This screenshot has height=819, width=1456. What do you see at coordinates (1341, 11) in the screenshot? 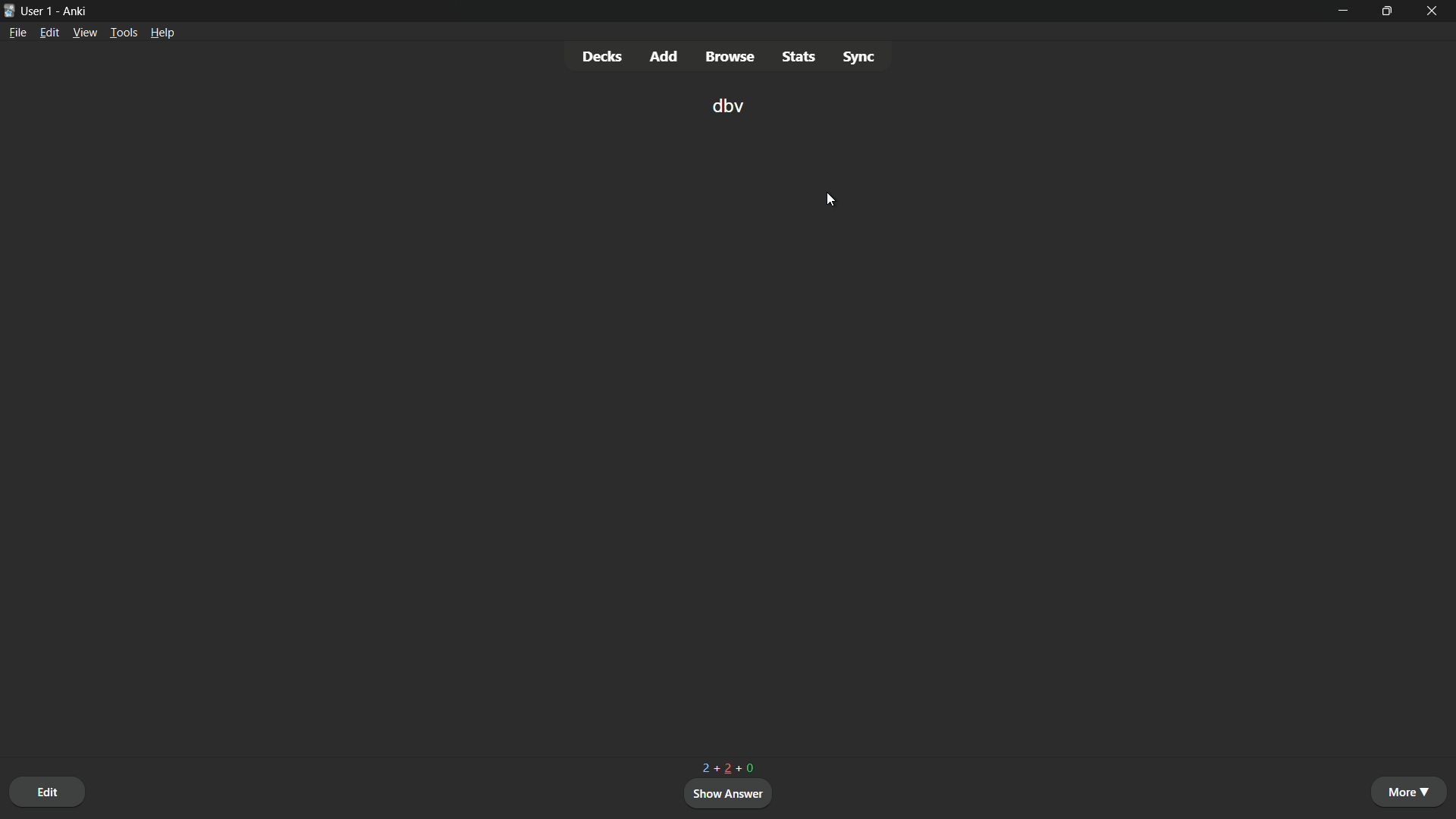
I see `minimize` at bounding box center [1341, 11].